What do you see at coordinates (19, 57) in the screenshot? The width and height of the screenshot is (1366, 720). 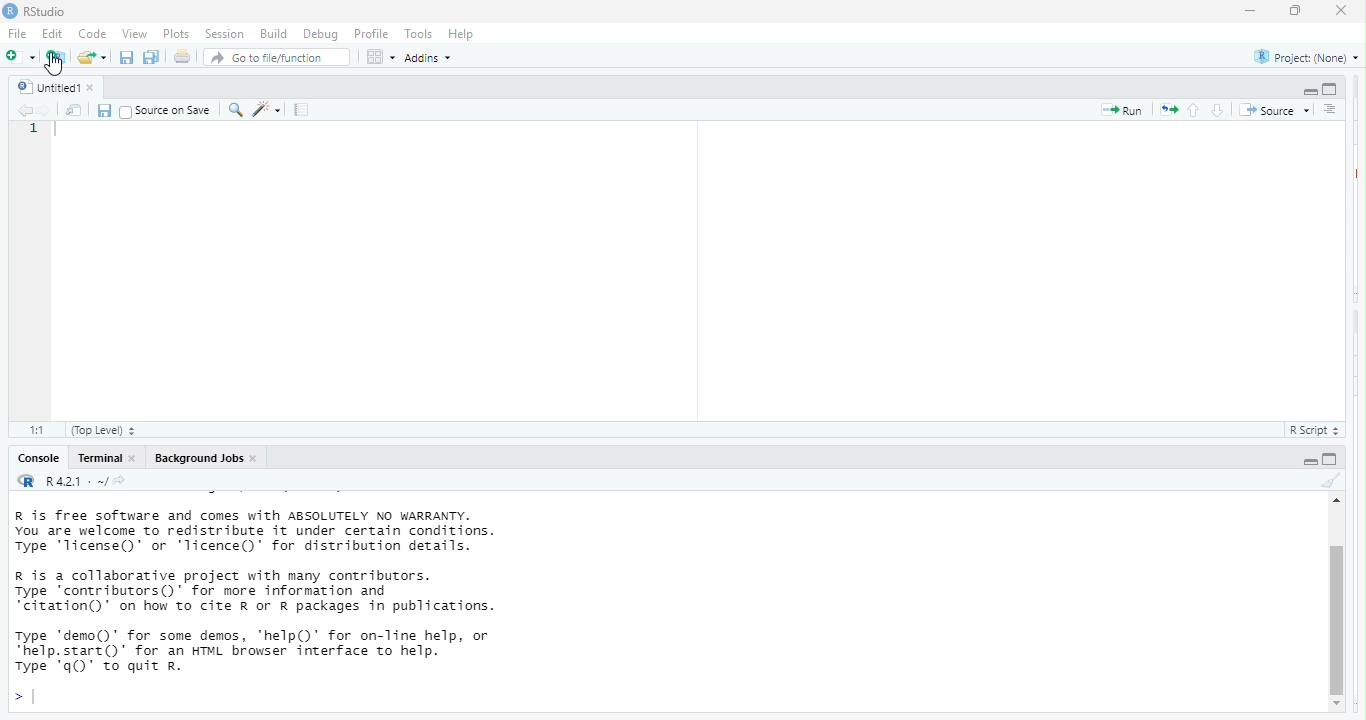 I see `new file` at bounding box center [19, 57].